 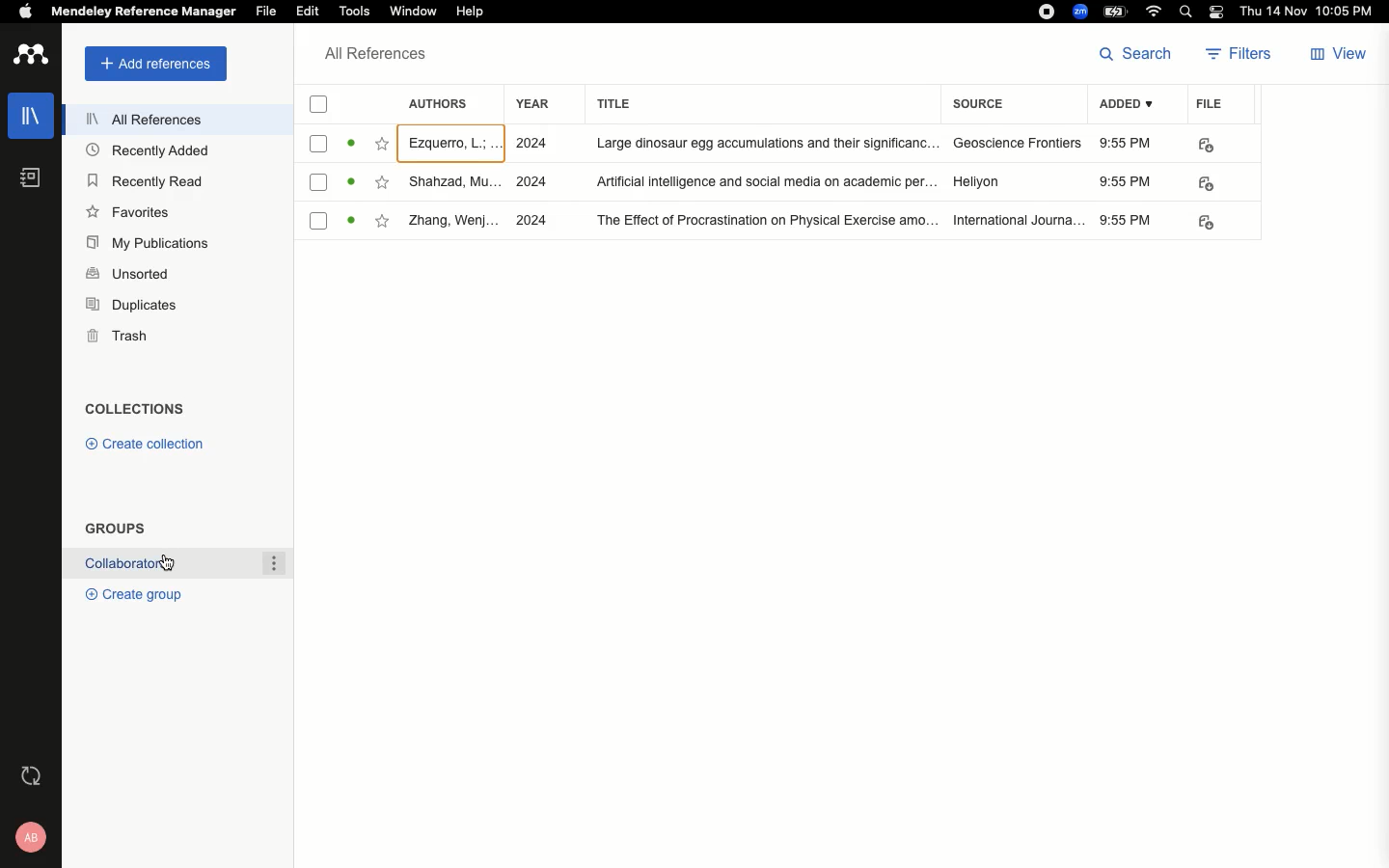 What do you see at coordinates (154, 245) in the screenshot?
I see `My publications` at bounding box center [154, 245].